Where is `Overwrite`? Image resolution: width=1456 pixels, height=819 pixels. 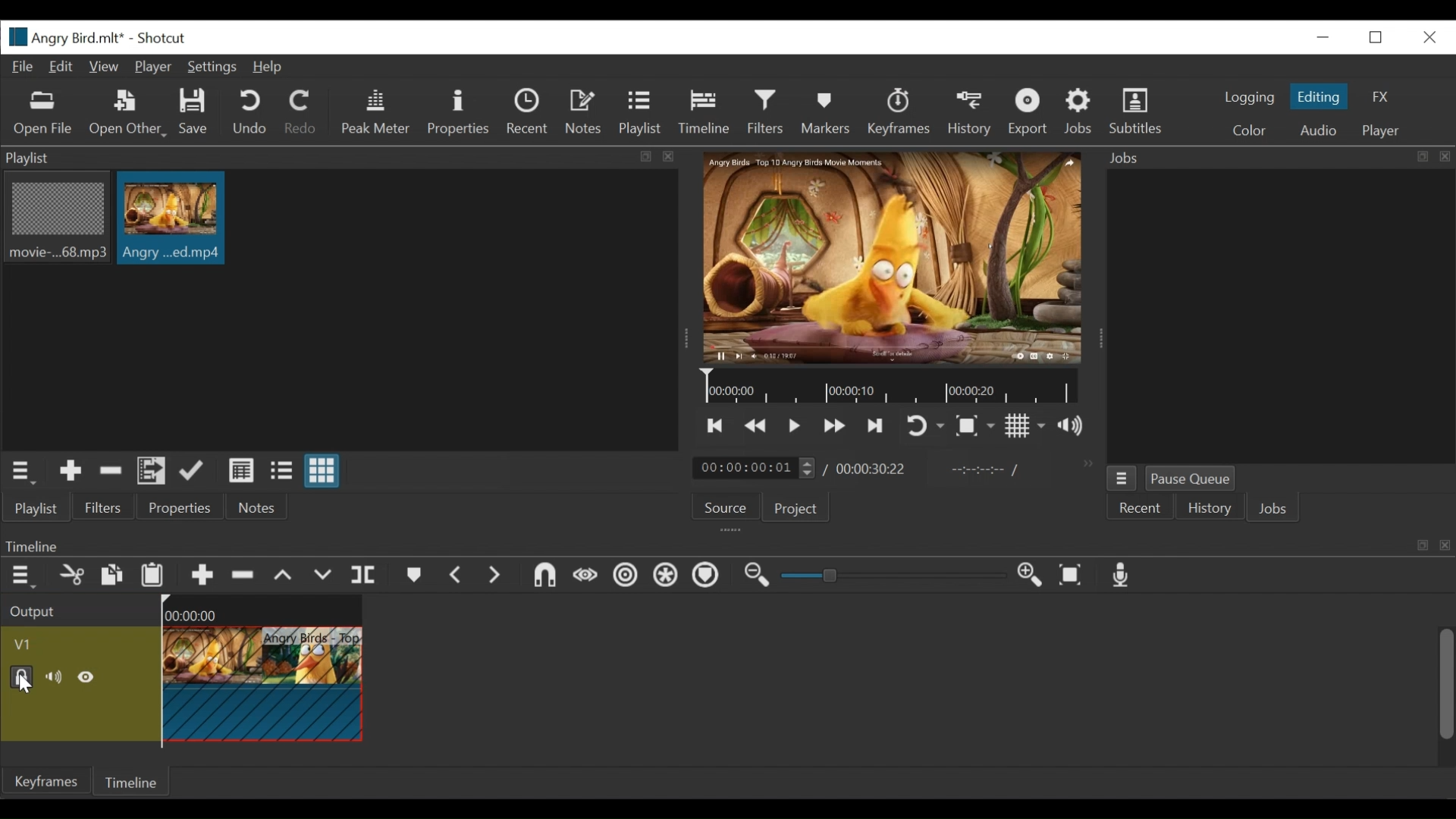 Overwrite is located at coordinates (324, 576).